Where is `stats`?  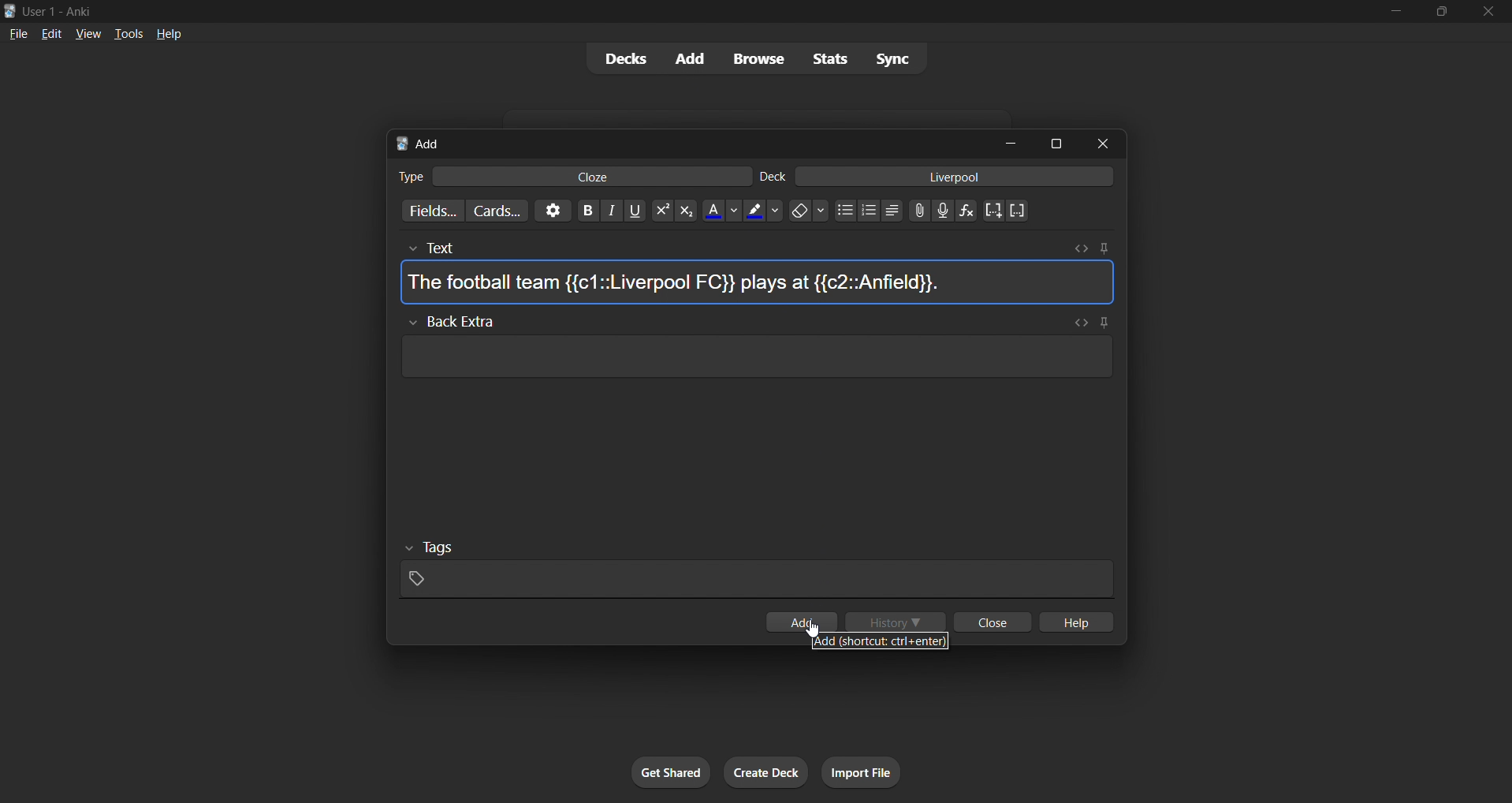 stats is located at coordinates (829, 60).